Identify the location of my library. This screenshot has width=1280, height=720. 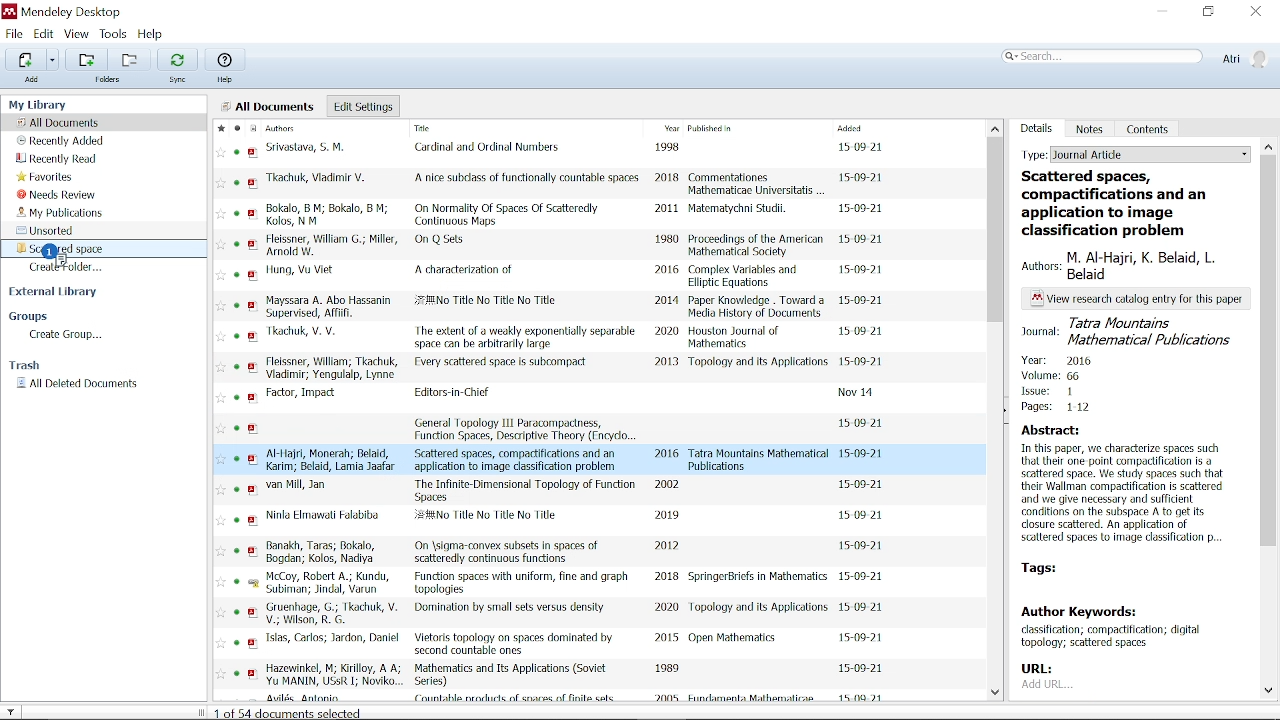
(40, 104).